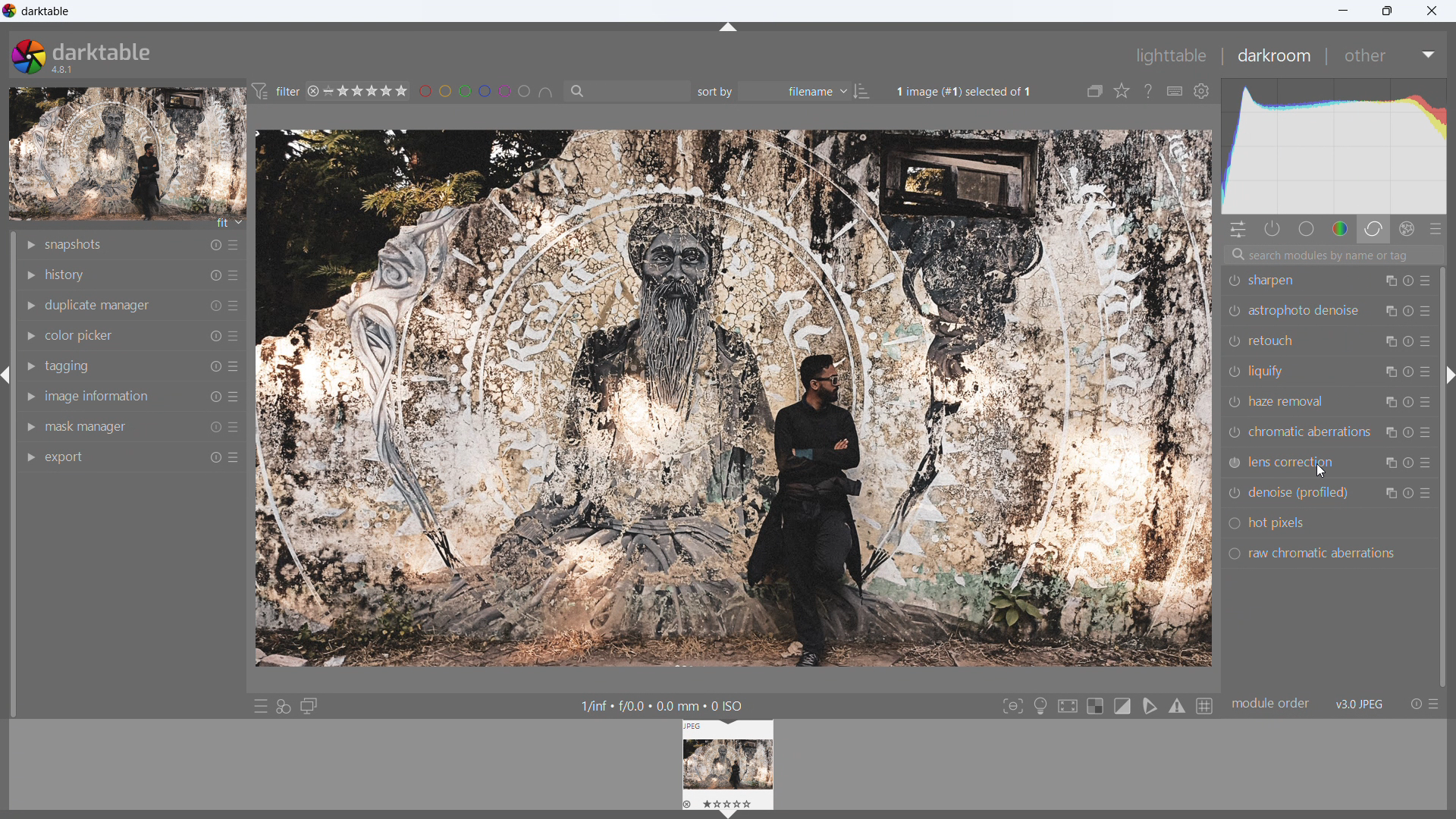 The image size is (1456, 819). I want to click on show module, so click(30, 273).